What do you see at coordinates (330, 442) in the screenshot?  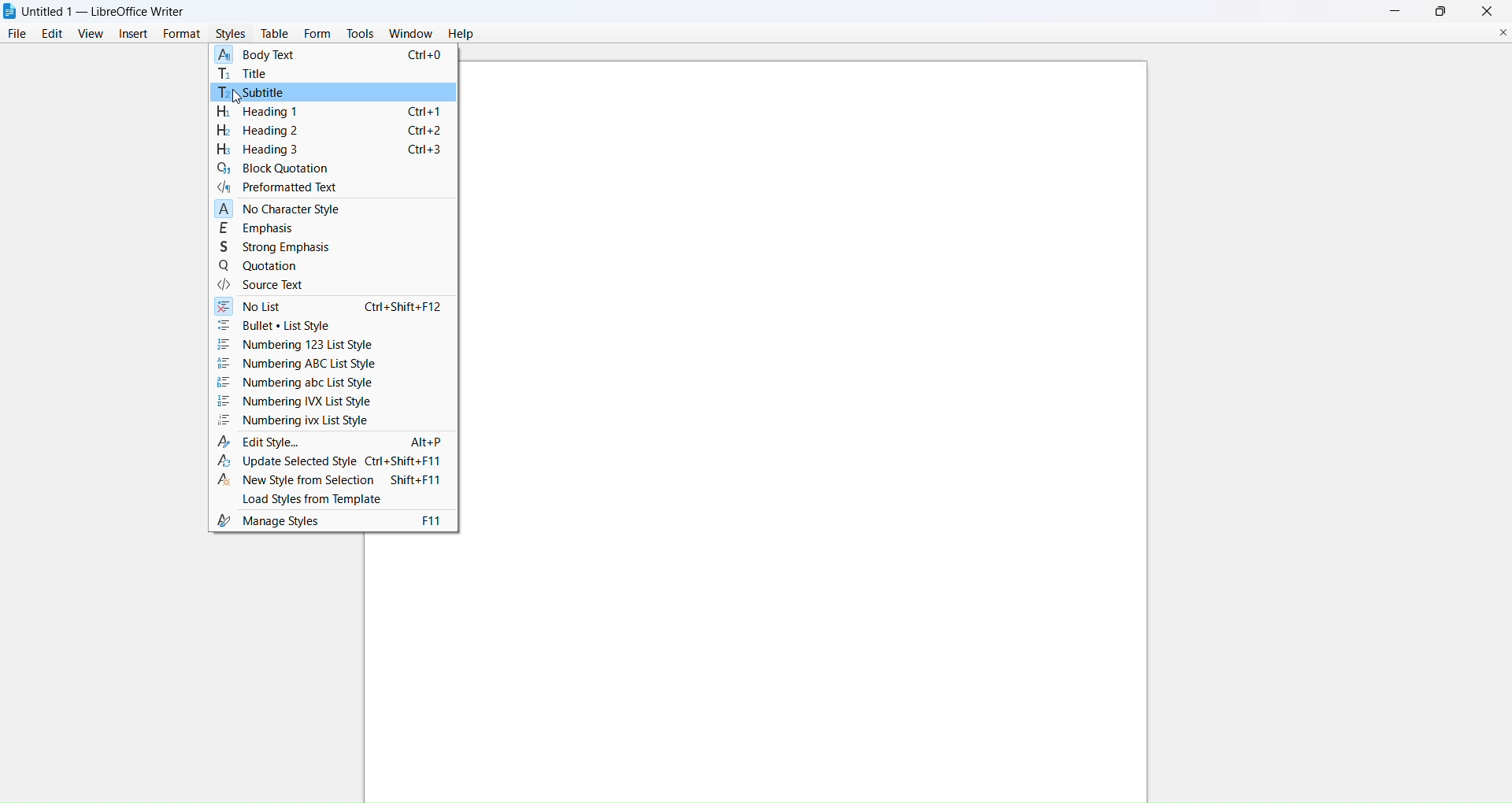 I see `edit style        Alt+P` at bounding box center [330, 442].